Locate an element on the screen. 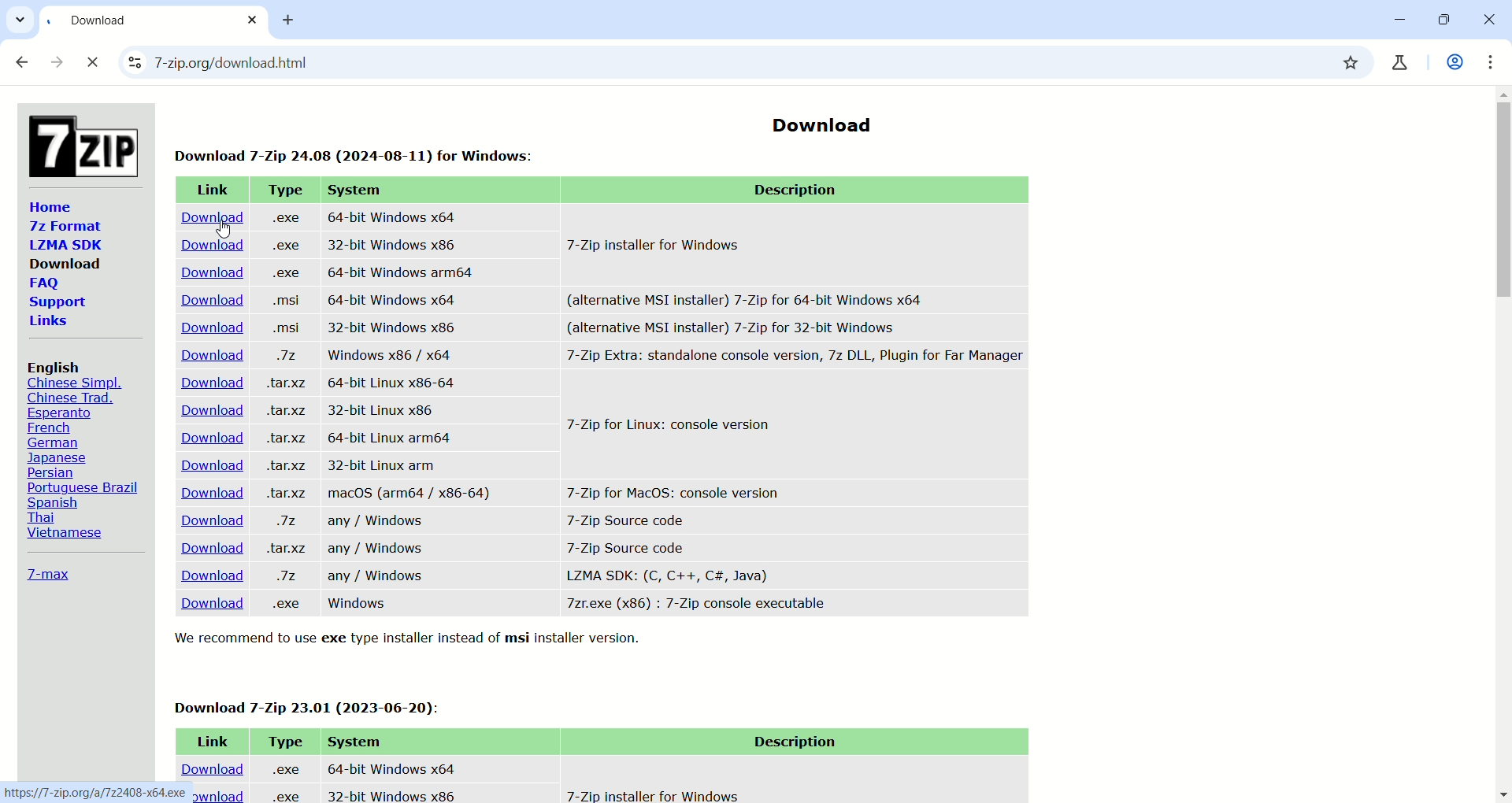  Jz is located at coordinates (287, 357).